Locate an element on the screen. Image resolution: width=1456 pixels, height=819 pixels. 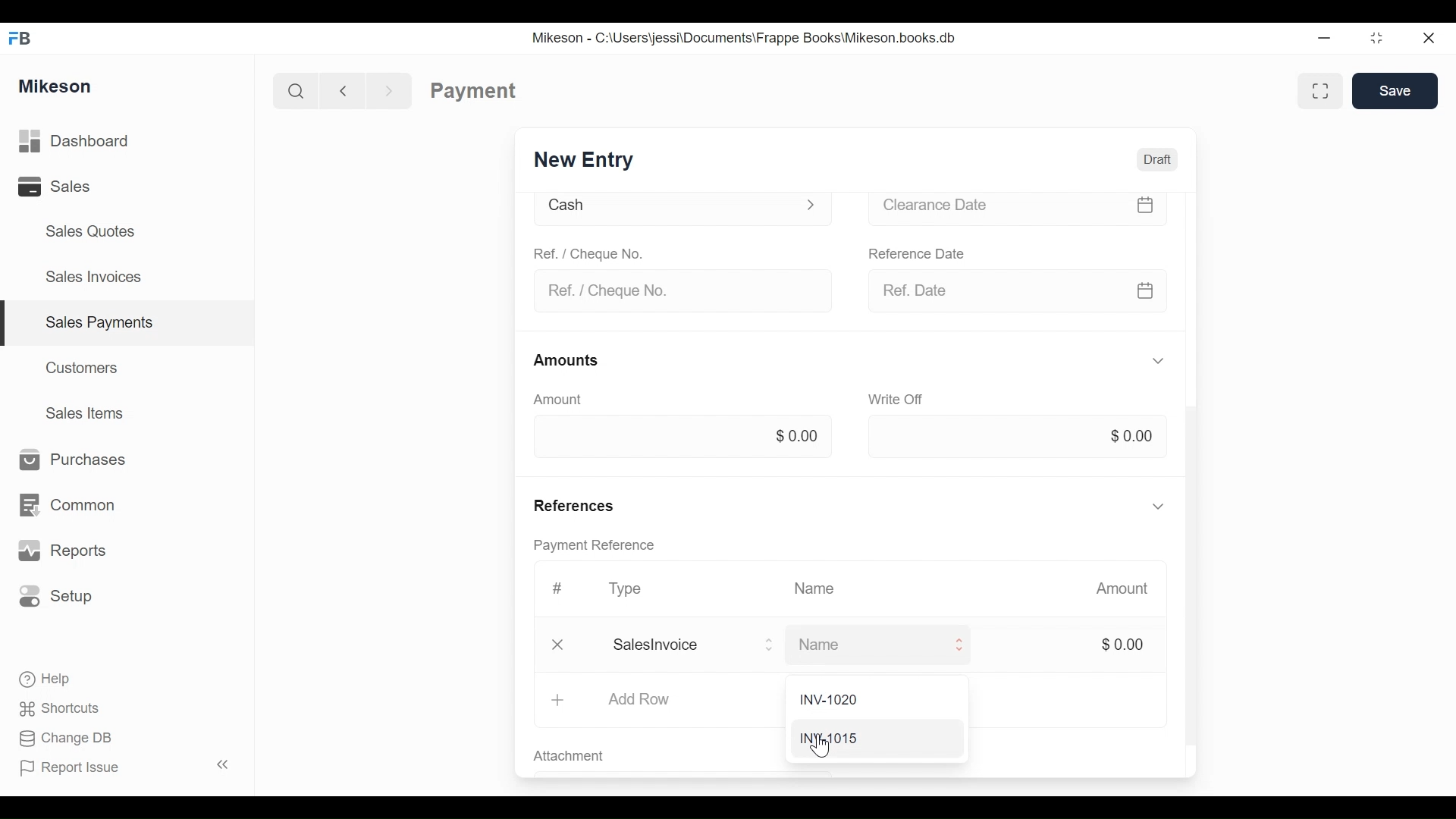
Collapse is located at coordinates (226, 766).